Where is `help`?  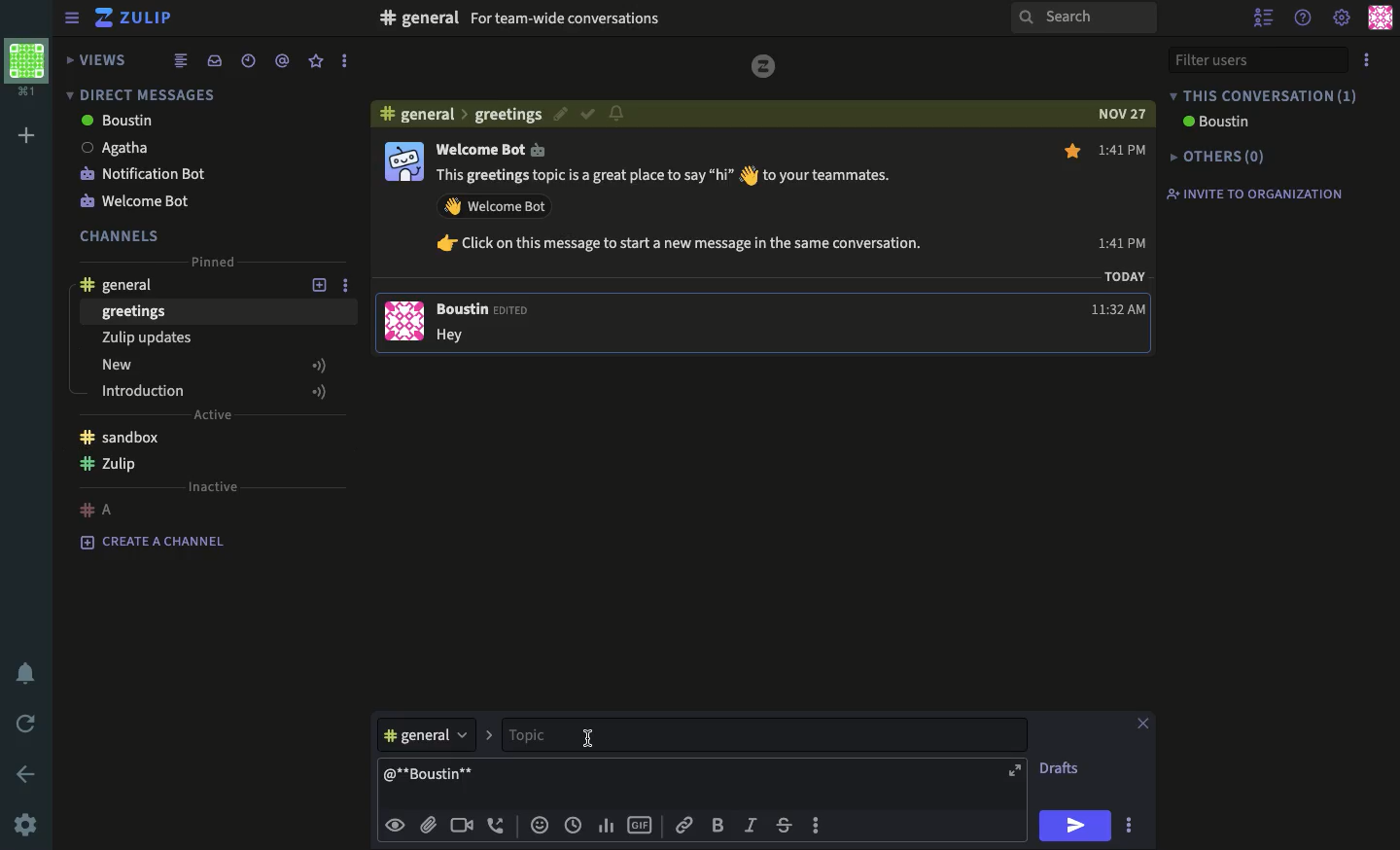
help is located at coordinates (1306, 16).